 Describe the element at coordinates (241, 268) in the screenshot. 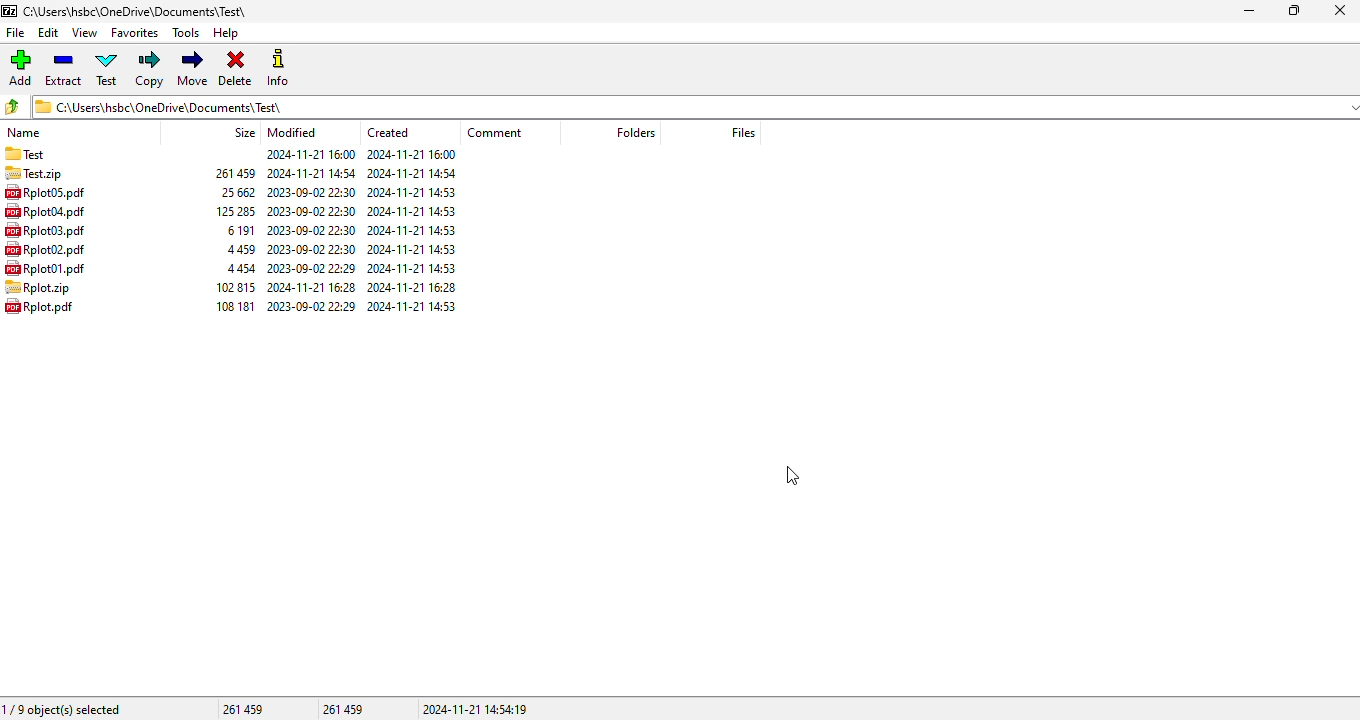

I see `size` at that location.